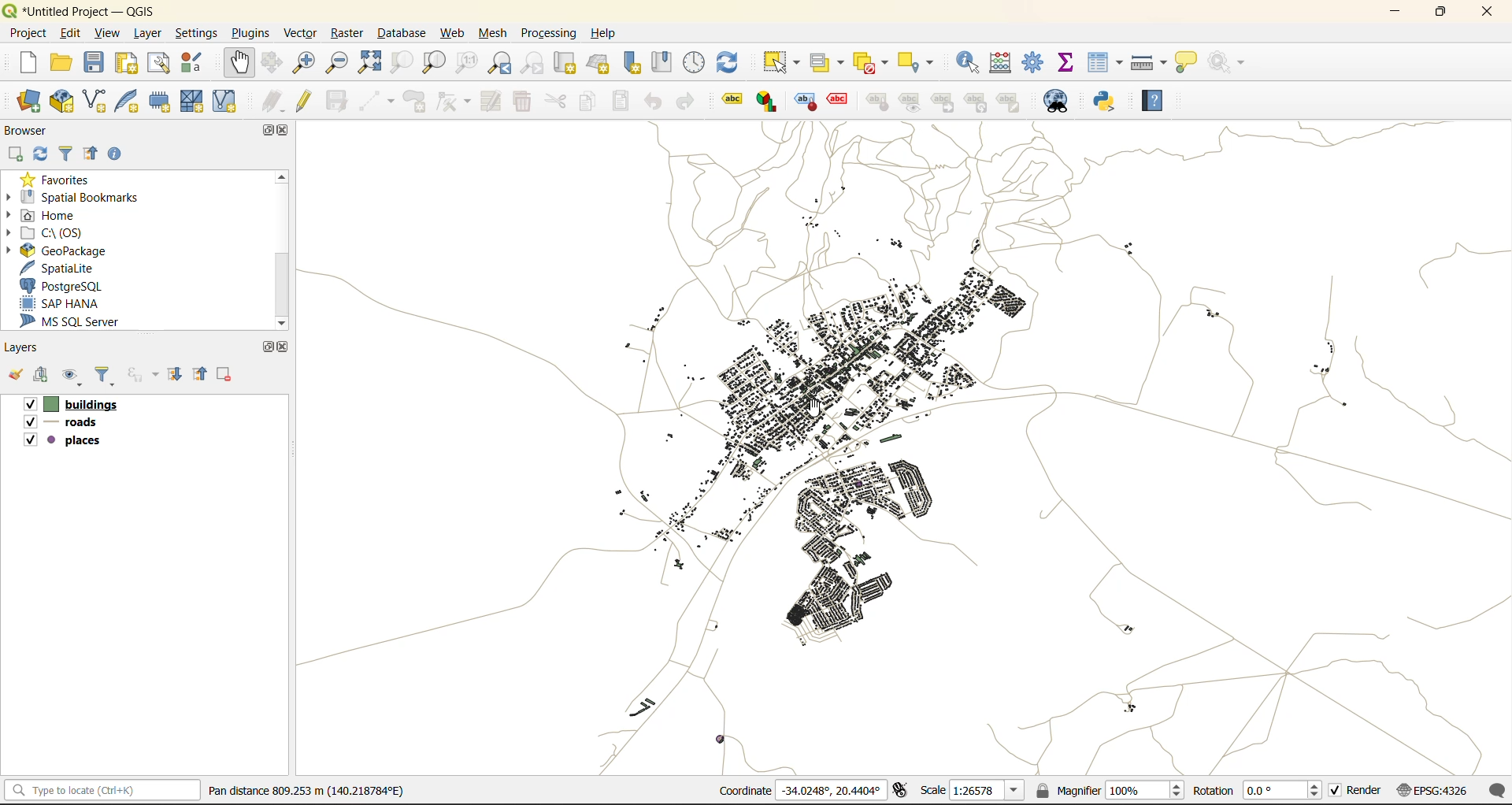 Image resolution: width=1512 pixels, height=805 pixels. Describe the element at coordinates (454, 102) in the screenshot. I see `vertex tools` at that location.